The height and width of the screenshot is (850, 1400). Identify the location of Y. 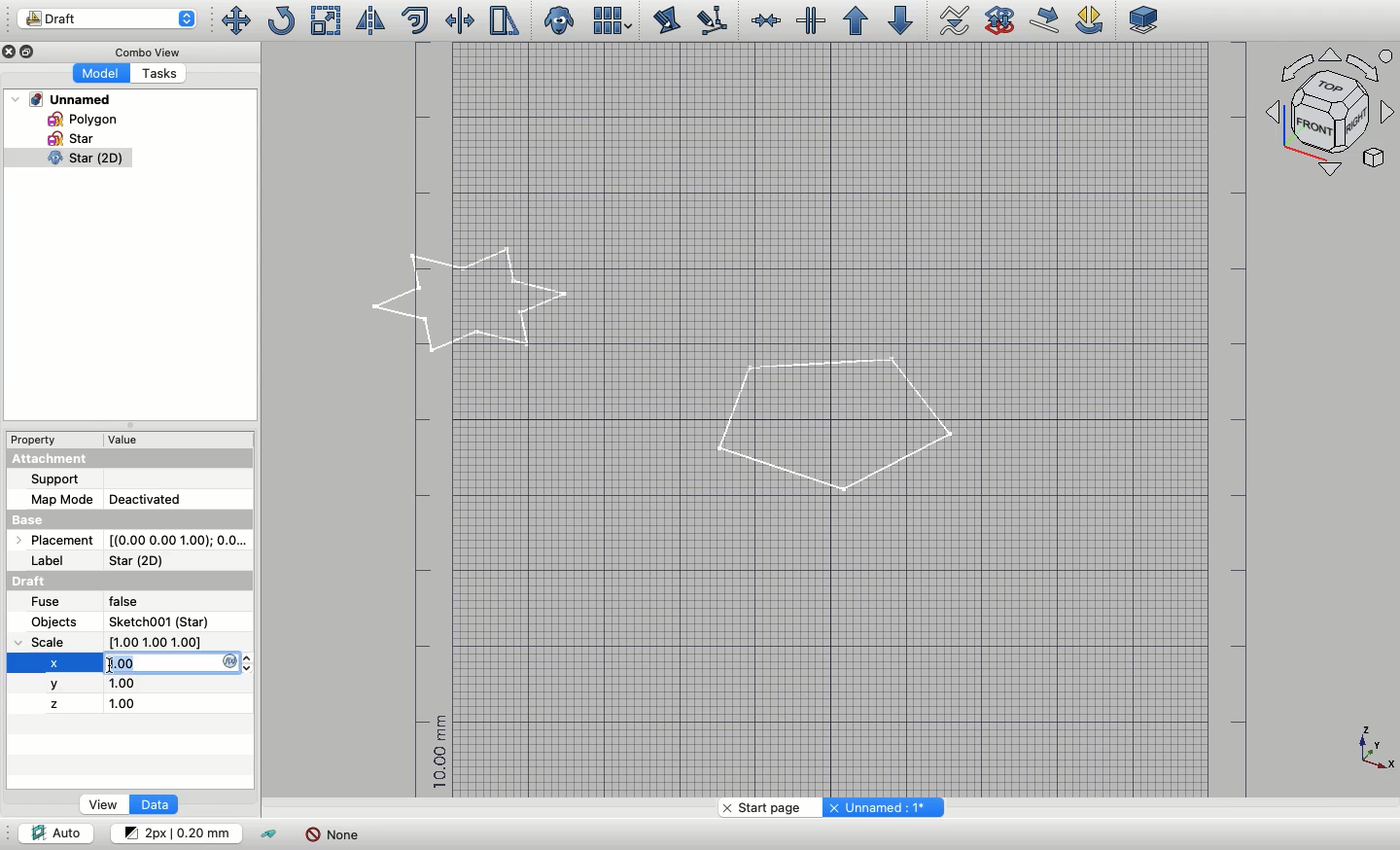
(57, 684).